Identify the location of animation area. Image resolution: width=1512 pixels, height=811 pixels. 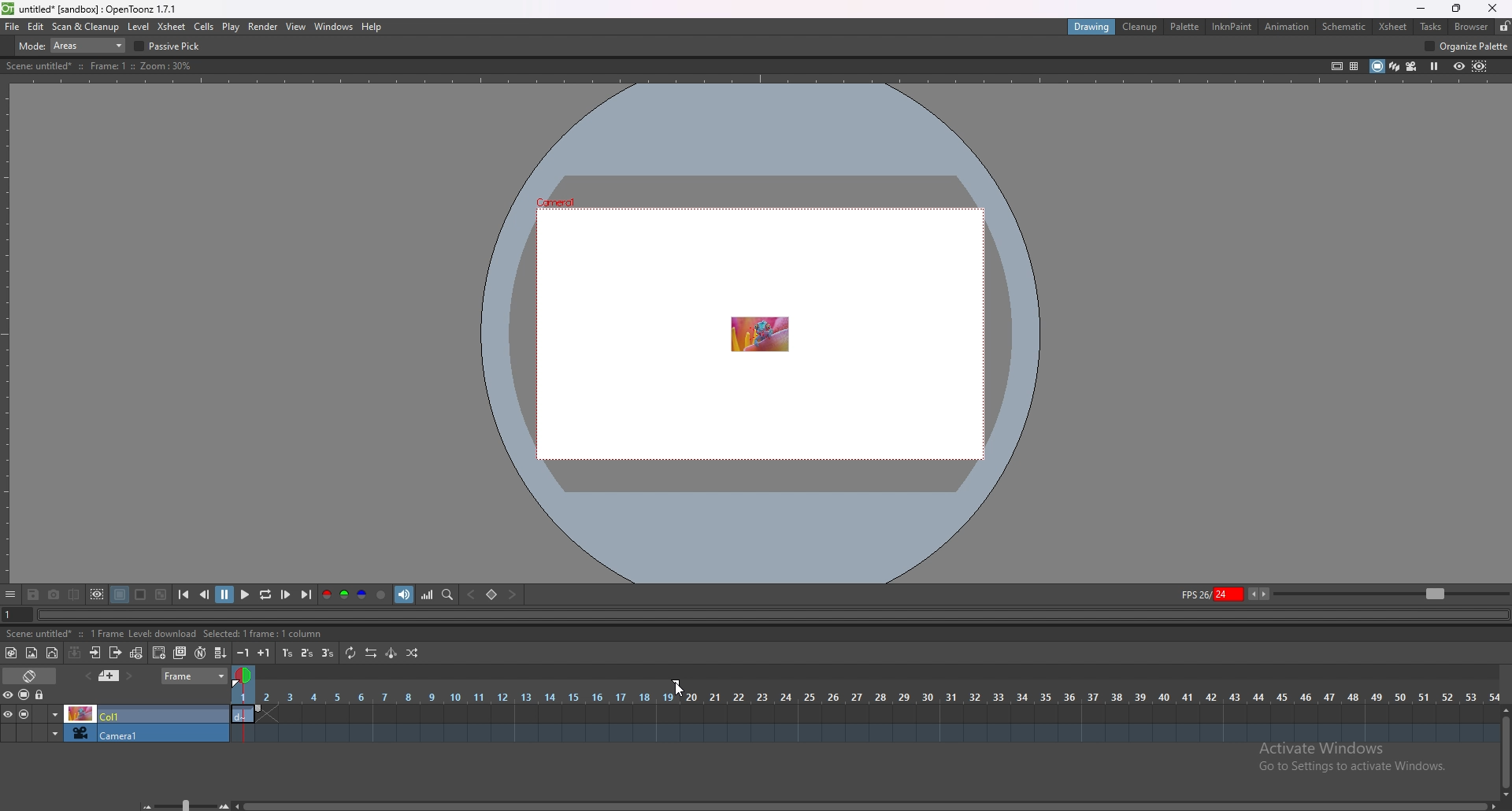
(758, 332).